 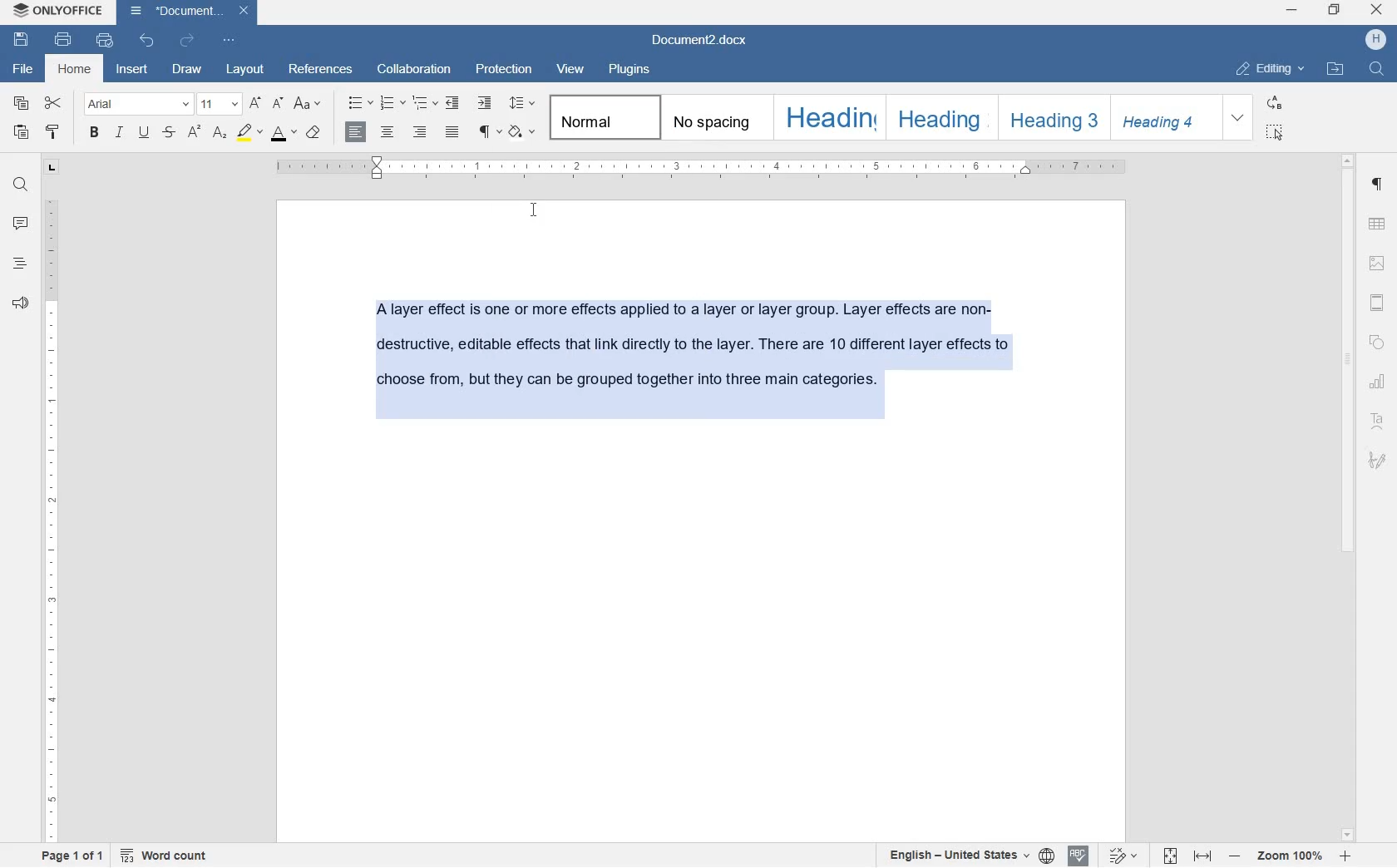 I want to click on shapes, so click(x=1377, y=340).